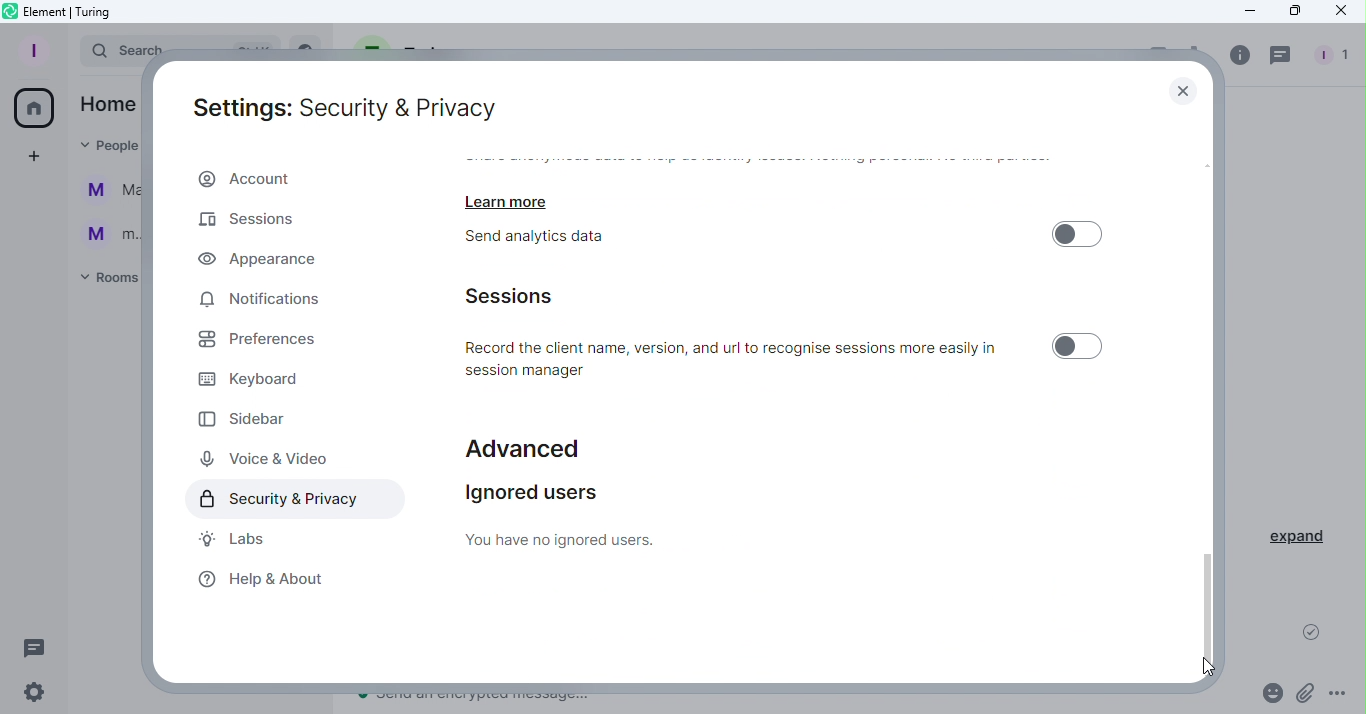 Image resolution: width=1366 pixels, height=714 pixels. Describe the element at coordinates (258, 382) in the screenshot. I see `Keyboard` at that location.